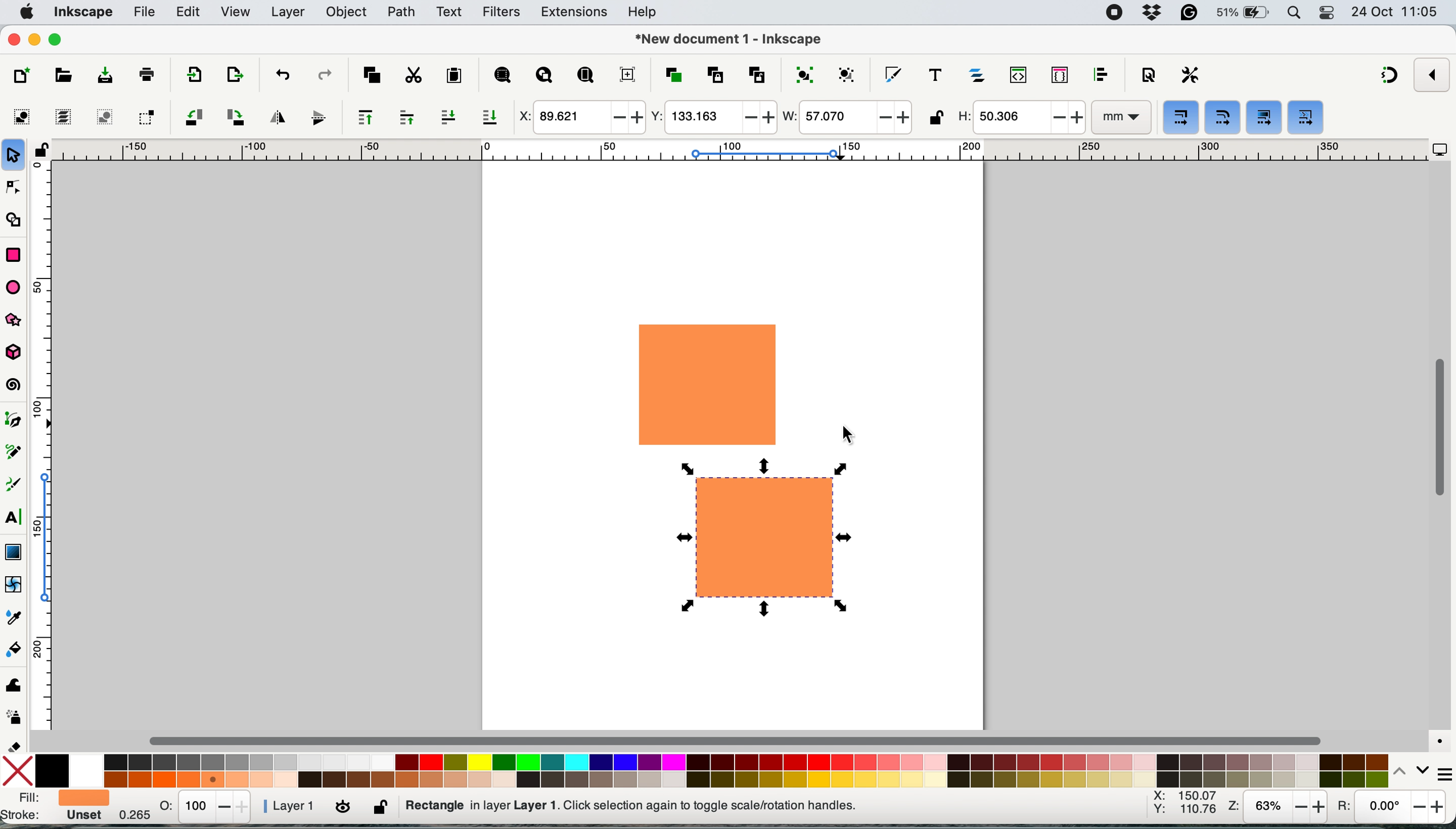 The width and height of the screenshot is (1456, 829). Describe the element at coordinates (1404, 770) in the screenshot. I see `switch between colors` at that location.